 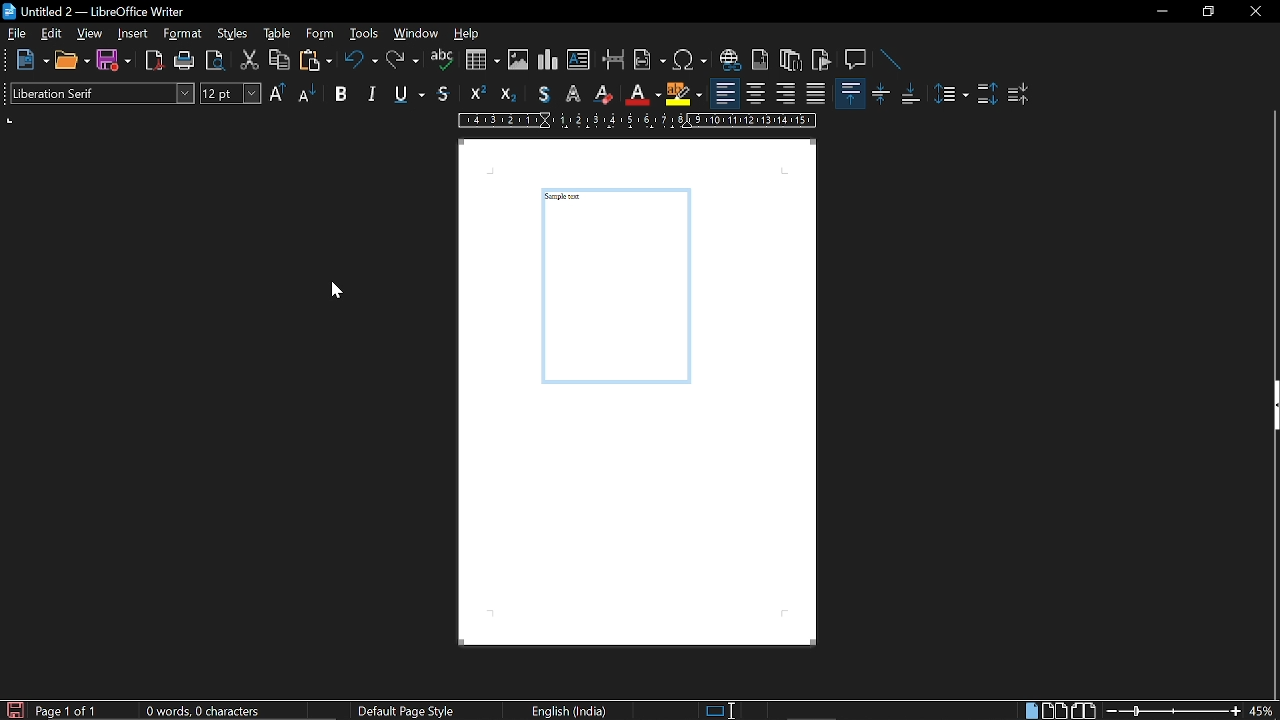 I want to click on text size, so click(x=230, y=94).